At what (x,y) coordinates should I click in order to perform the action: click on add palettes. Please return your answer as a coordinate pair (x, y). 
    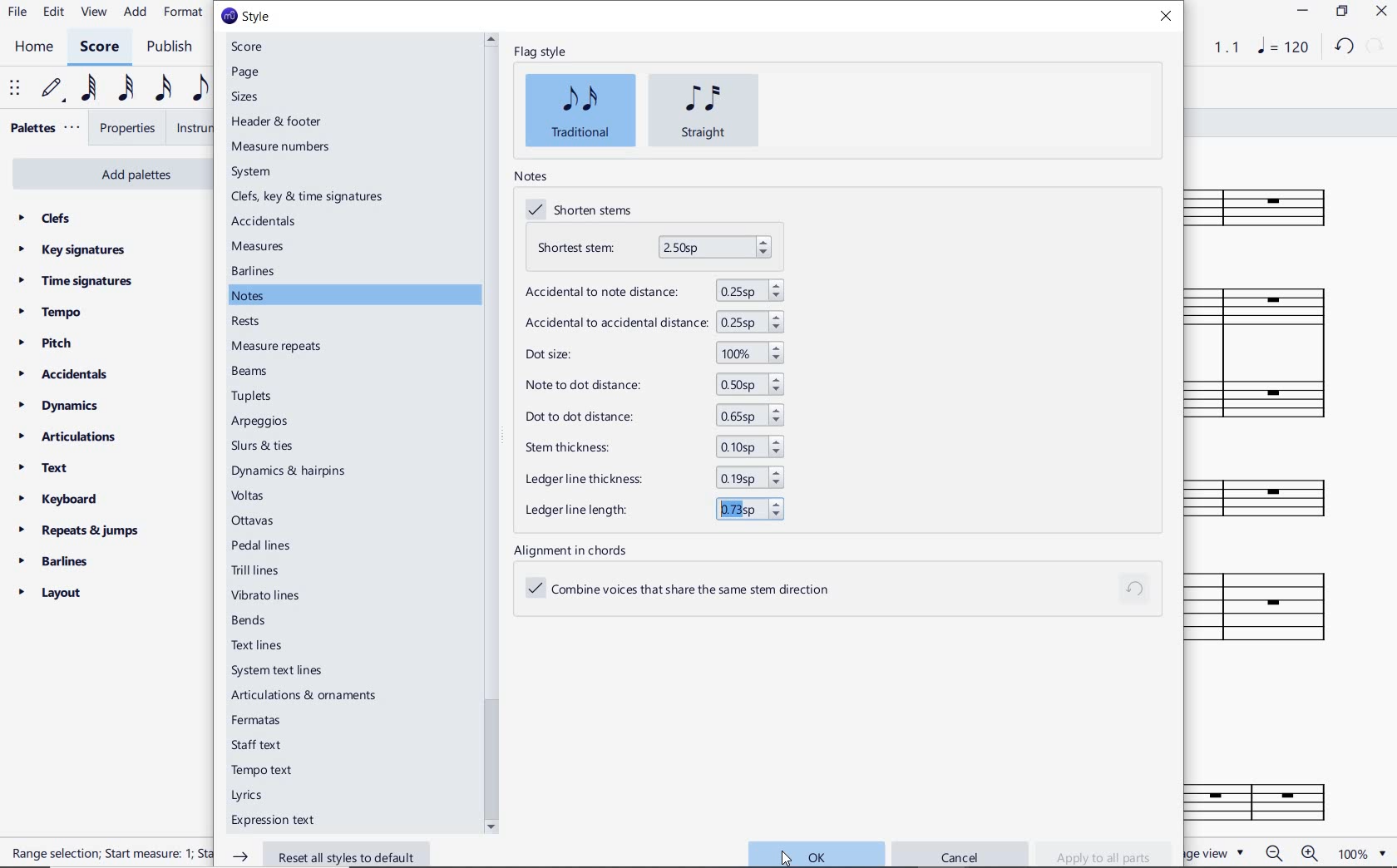
    Looking at the image, I should click on (107, 172).